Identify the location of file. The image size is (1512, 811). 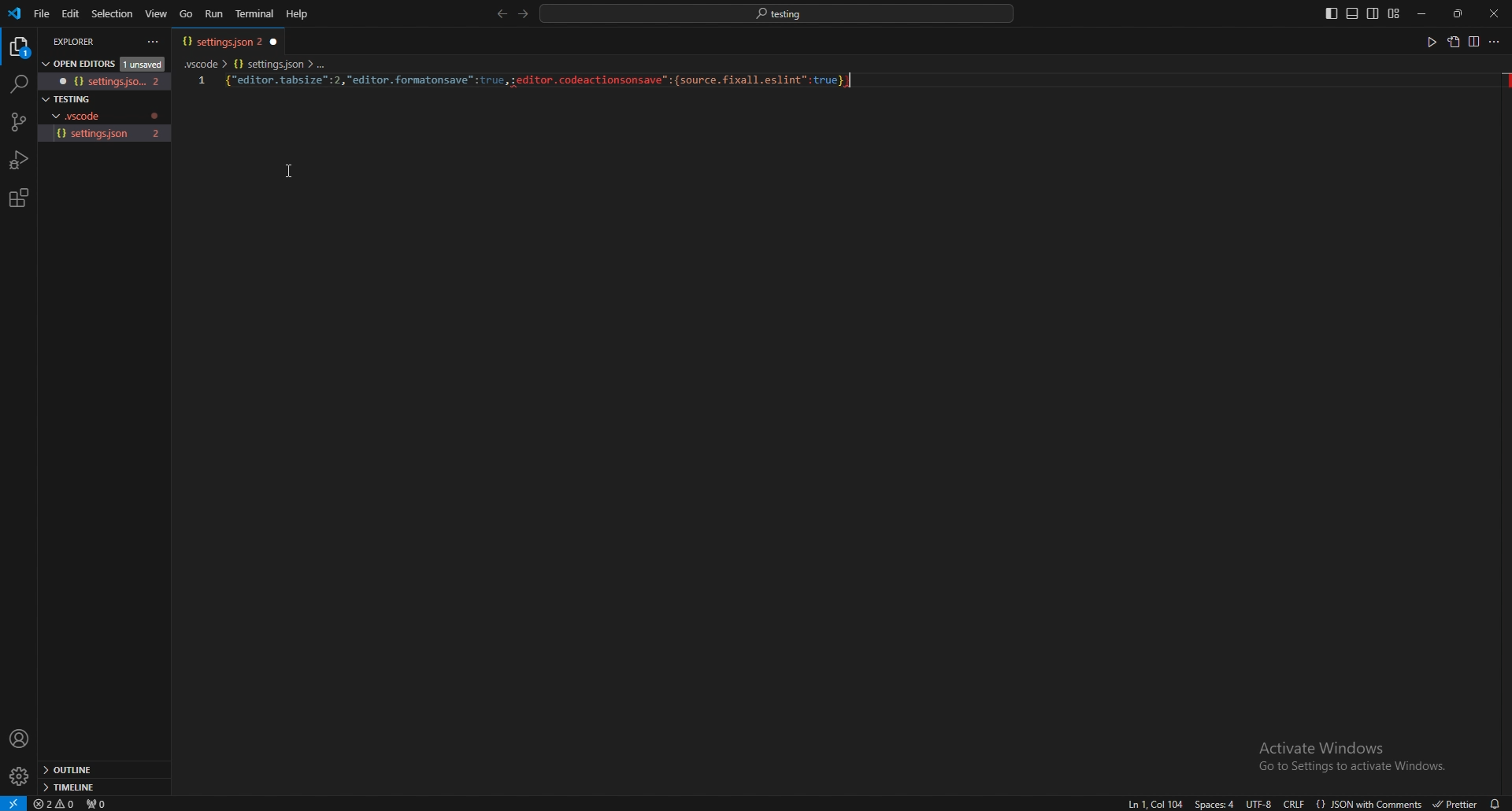
(40, 14).